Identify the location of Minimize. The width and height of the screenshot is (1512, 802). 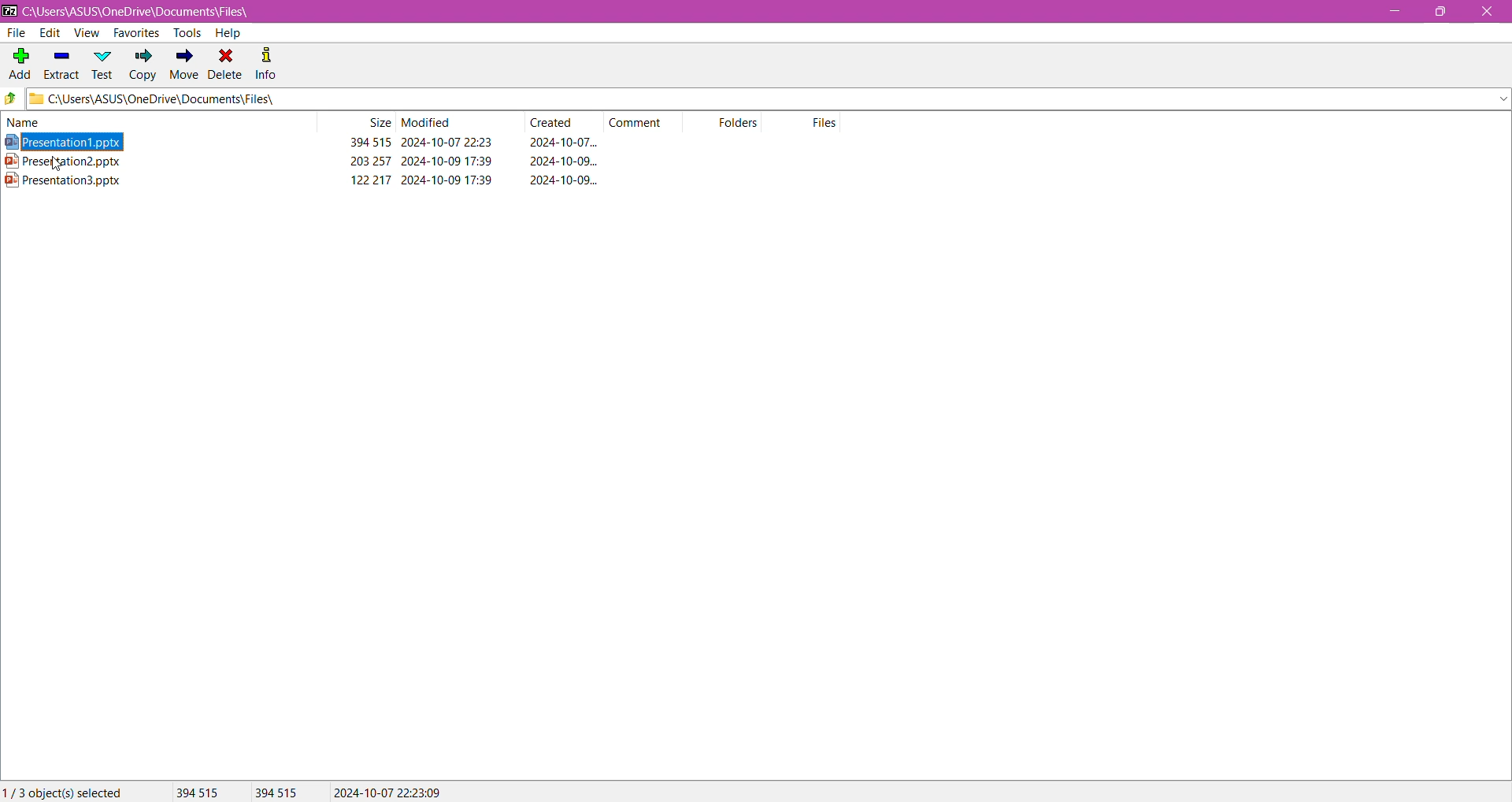
(1393, 12).